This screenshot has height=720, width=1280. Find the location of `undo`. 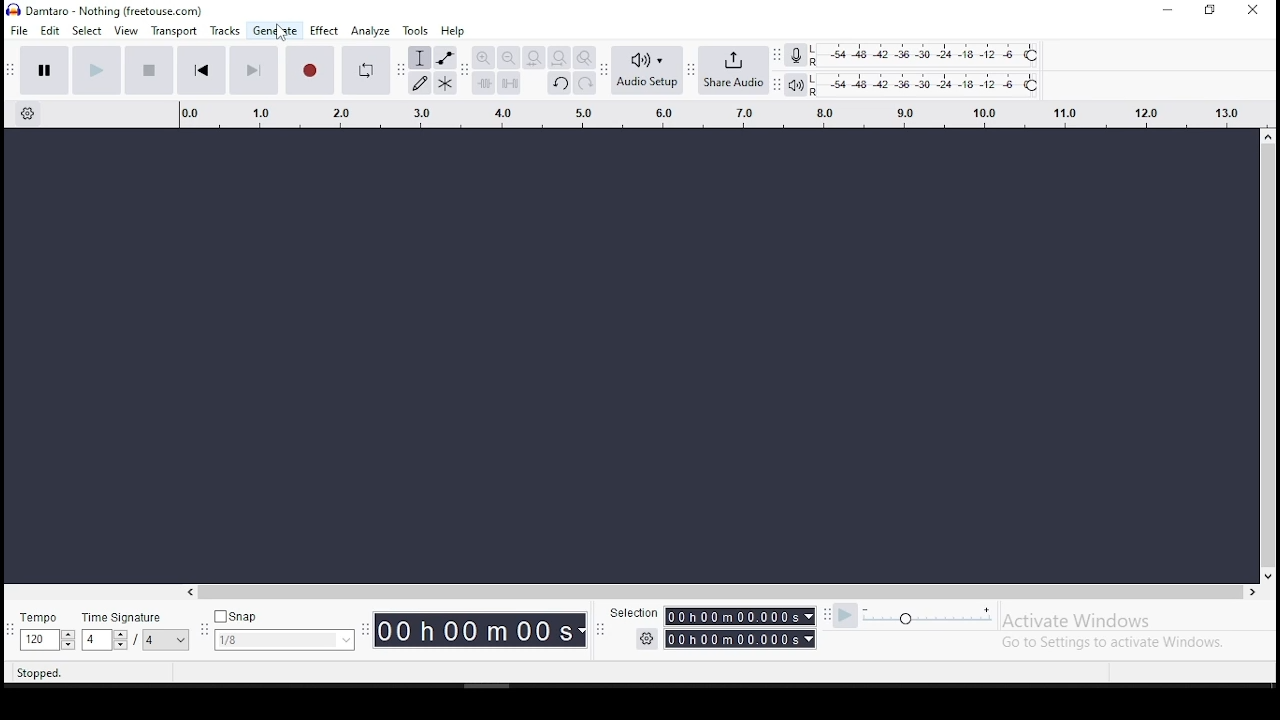

undo is located at coordinates (560, 82).